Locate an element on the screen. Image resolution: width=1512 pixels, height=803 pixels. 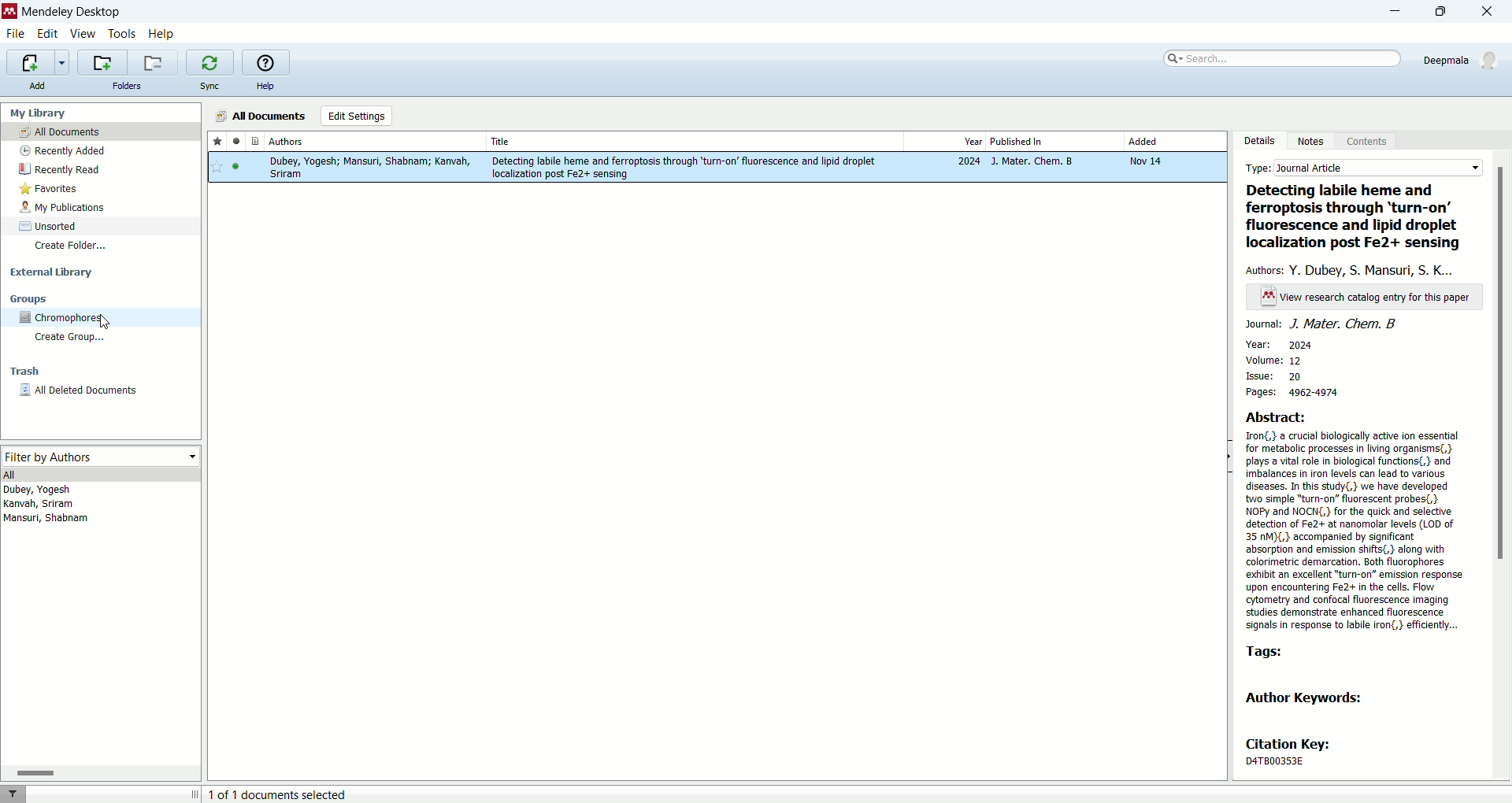
Dubey, Yogesh is located at coordinates (42, 490).